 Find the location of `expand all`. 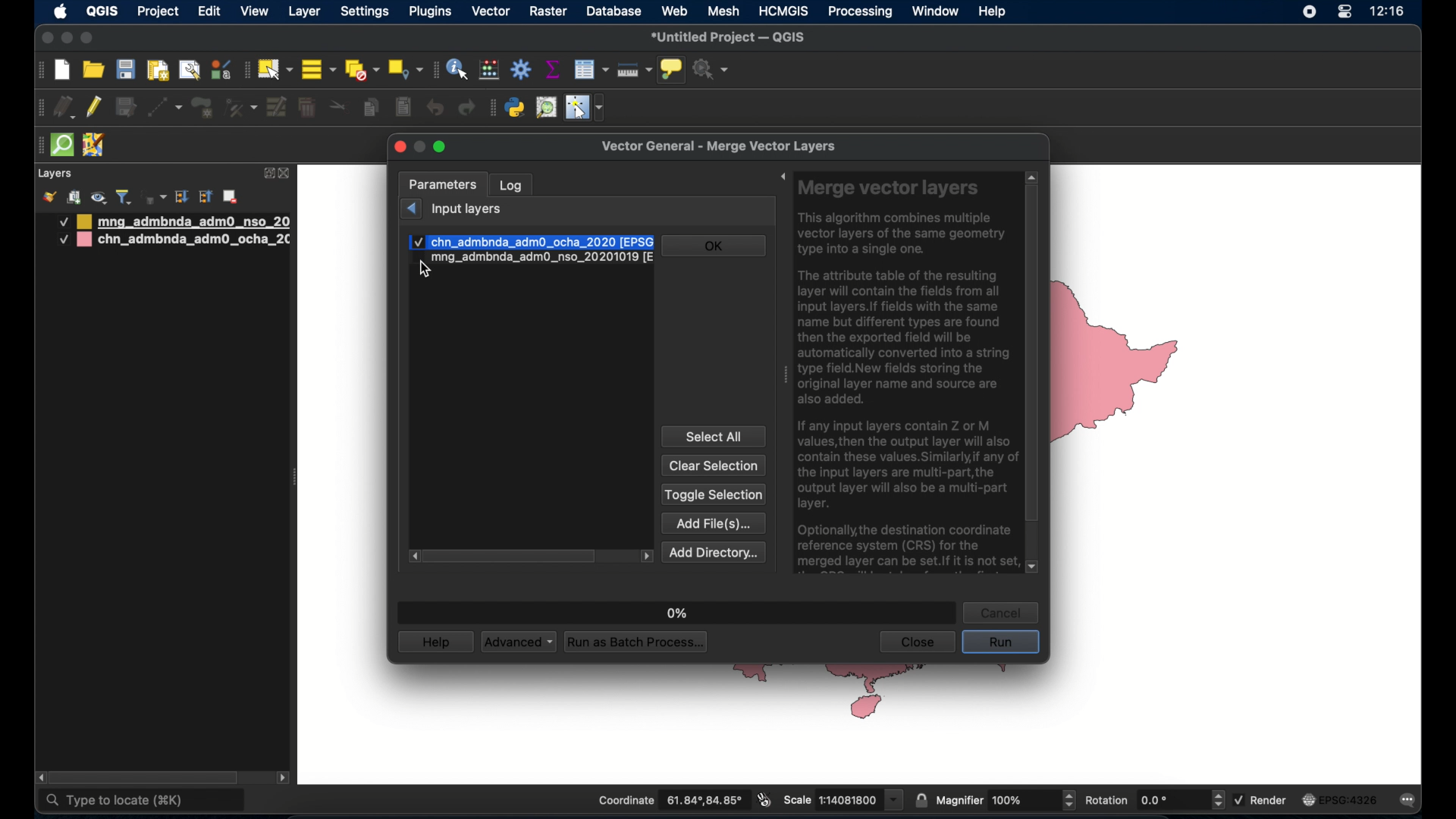

expand all is located at coordinates (181, 197).